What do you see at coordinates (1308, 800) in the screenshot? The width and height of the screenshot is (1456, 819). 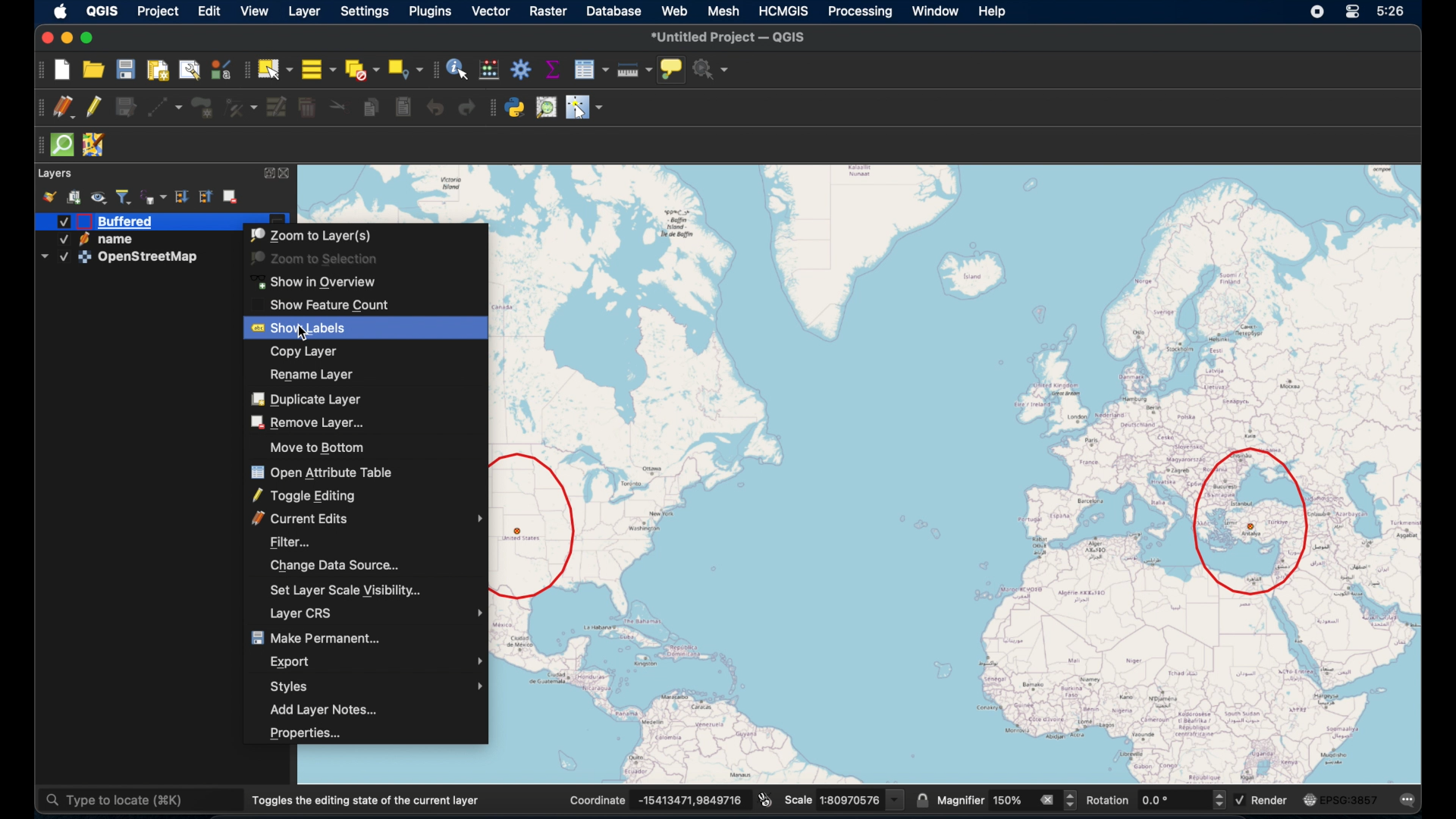 I see `icon` at bounding box center [1308, 800].